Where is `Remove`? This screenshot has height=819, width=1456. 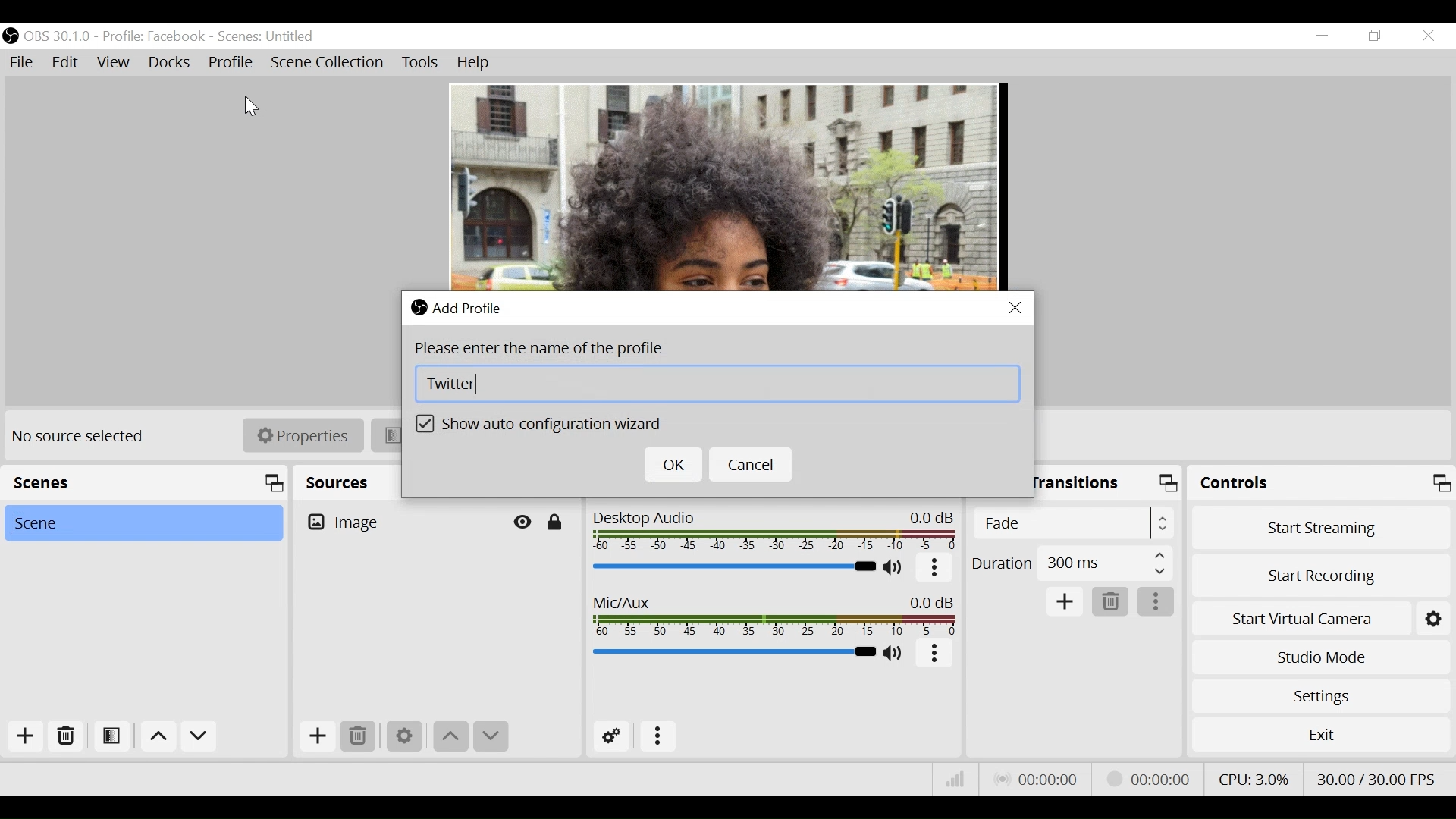
Remove is located at coordinates (64, 739).